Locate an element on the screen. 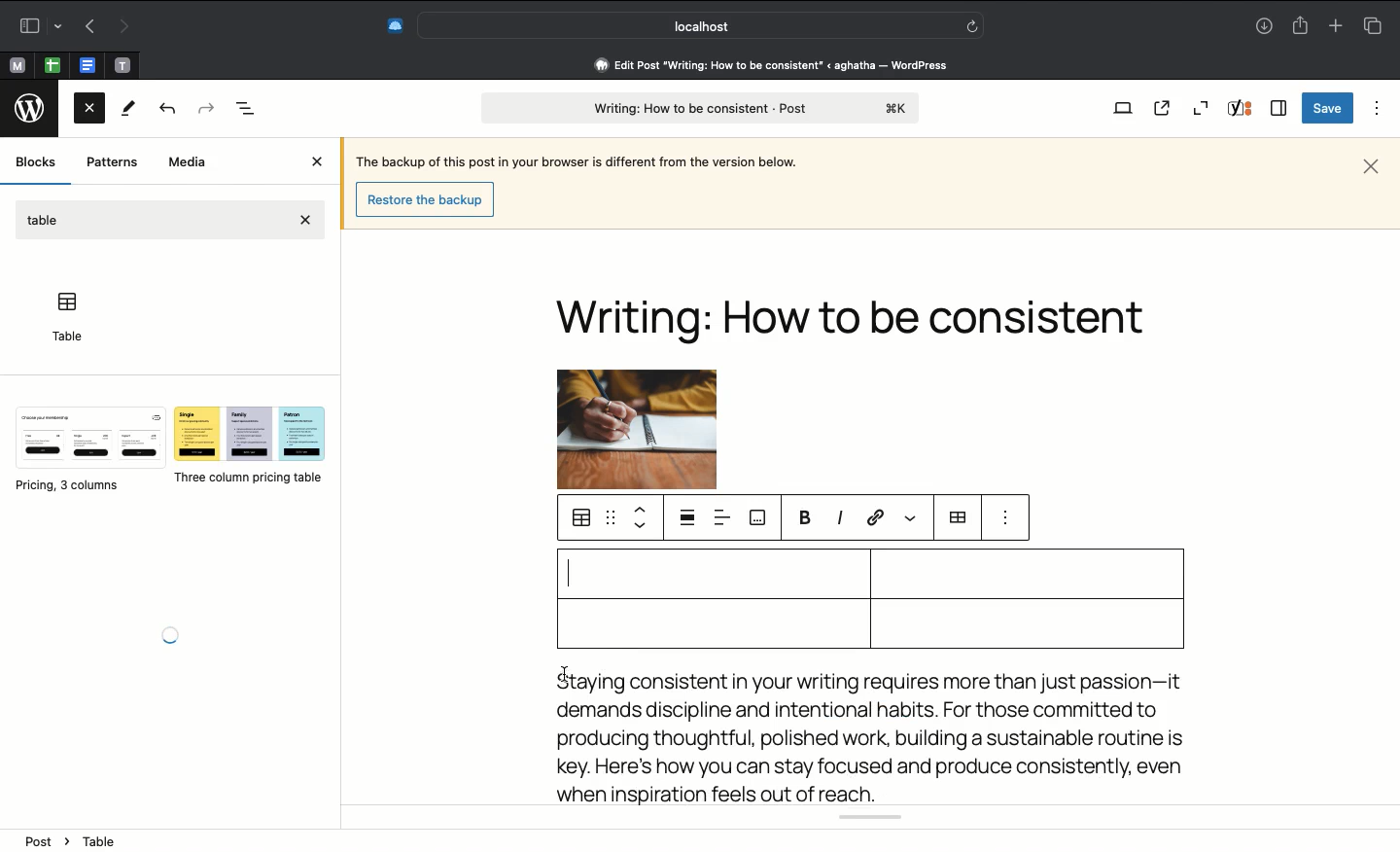 The height and width of the screenshot is (852, 1400). Pinned tabs is located at coordinates (87, 64).